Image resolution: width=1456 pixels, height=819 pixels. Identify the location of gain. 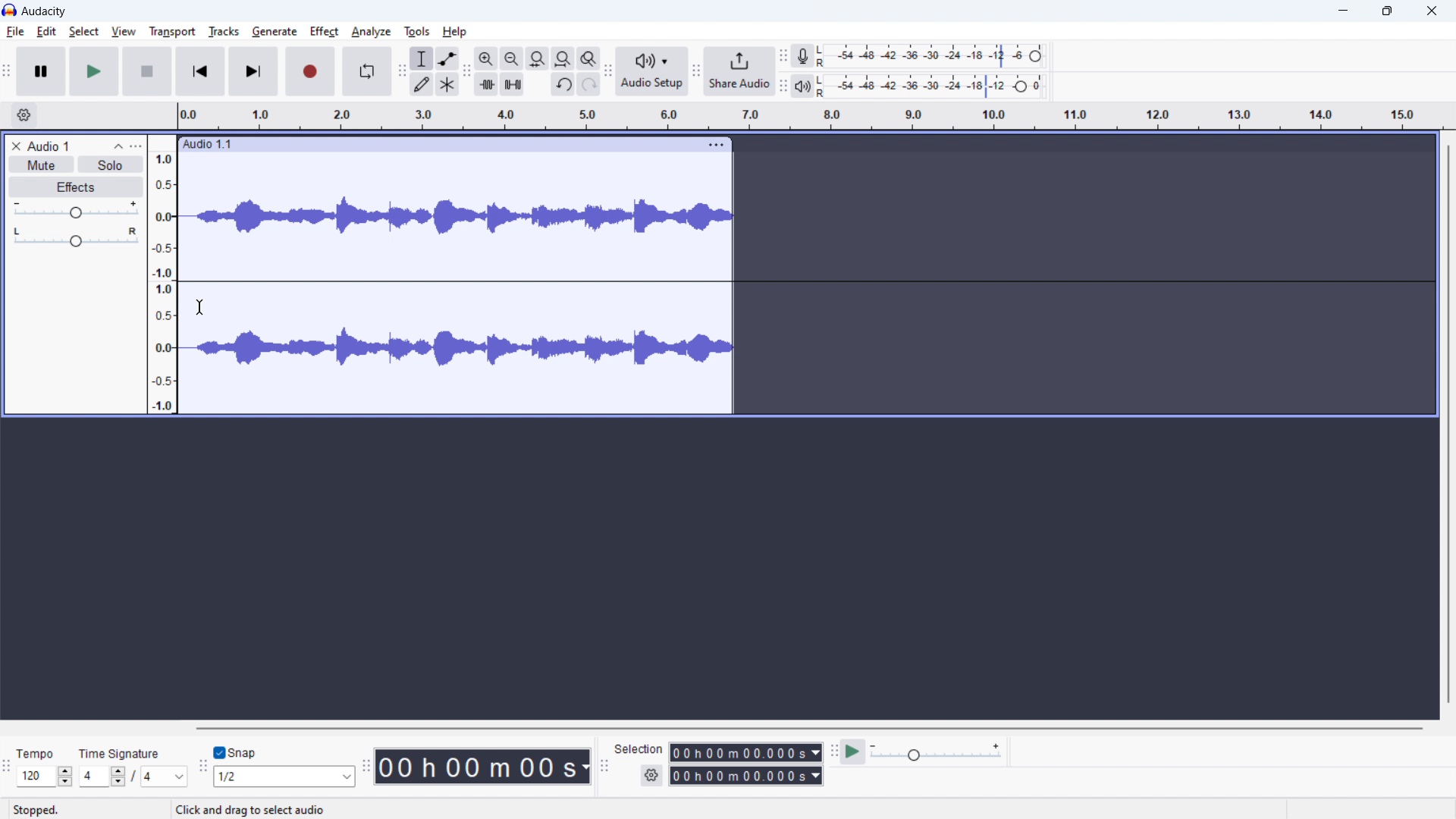
(75, 210).